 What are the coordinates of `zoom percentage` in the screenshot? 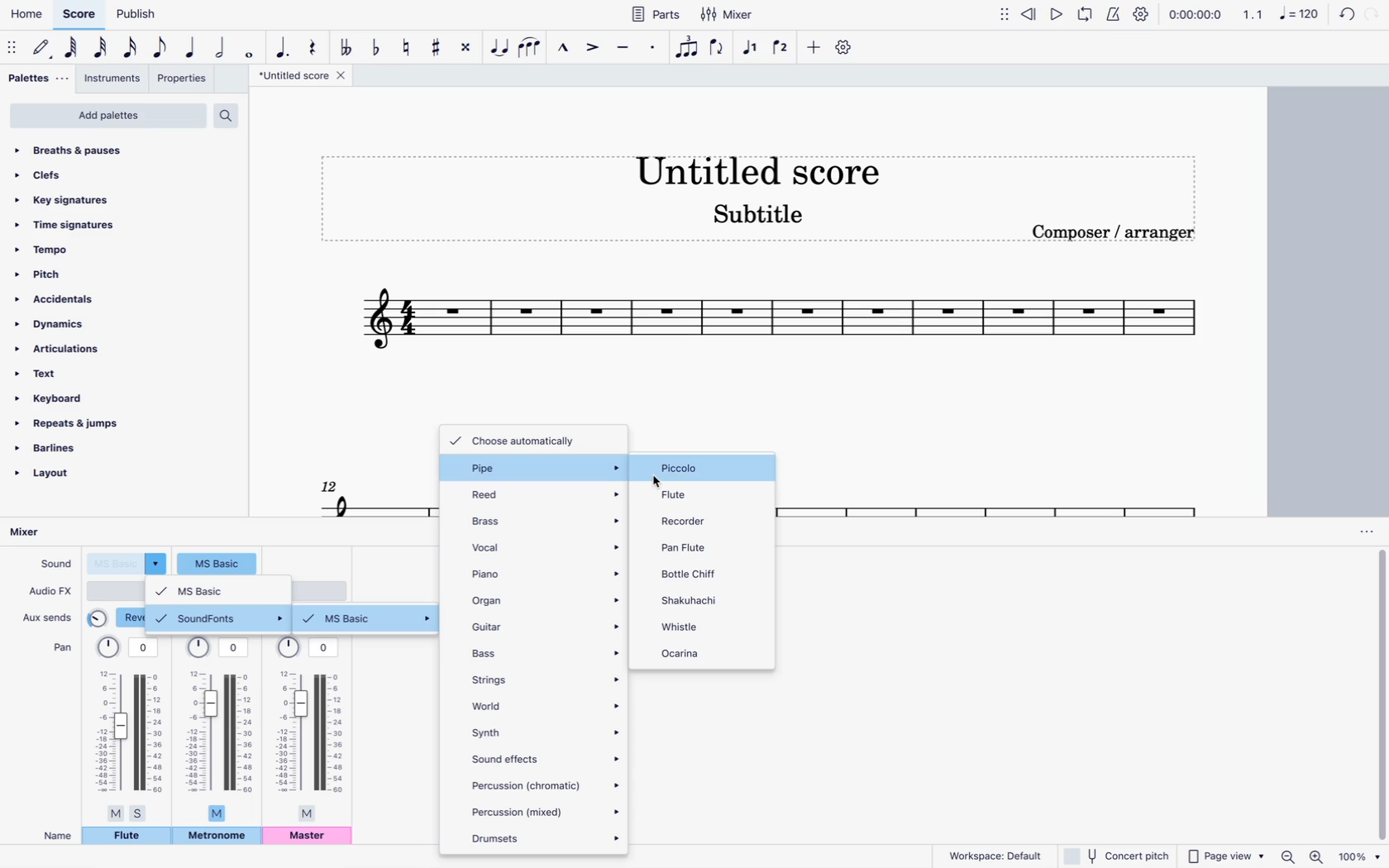 It's located at (1362, 856).